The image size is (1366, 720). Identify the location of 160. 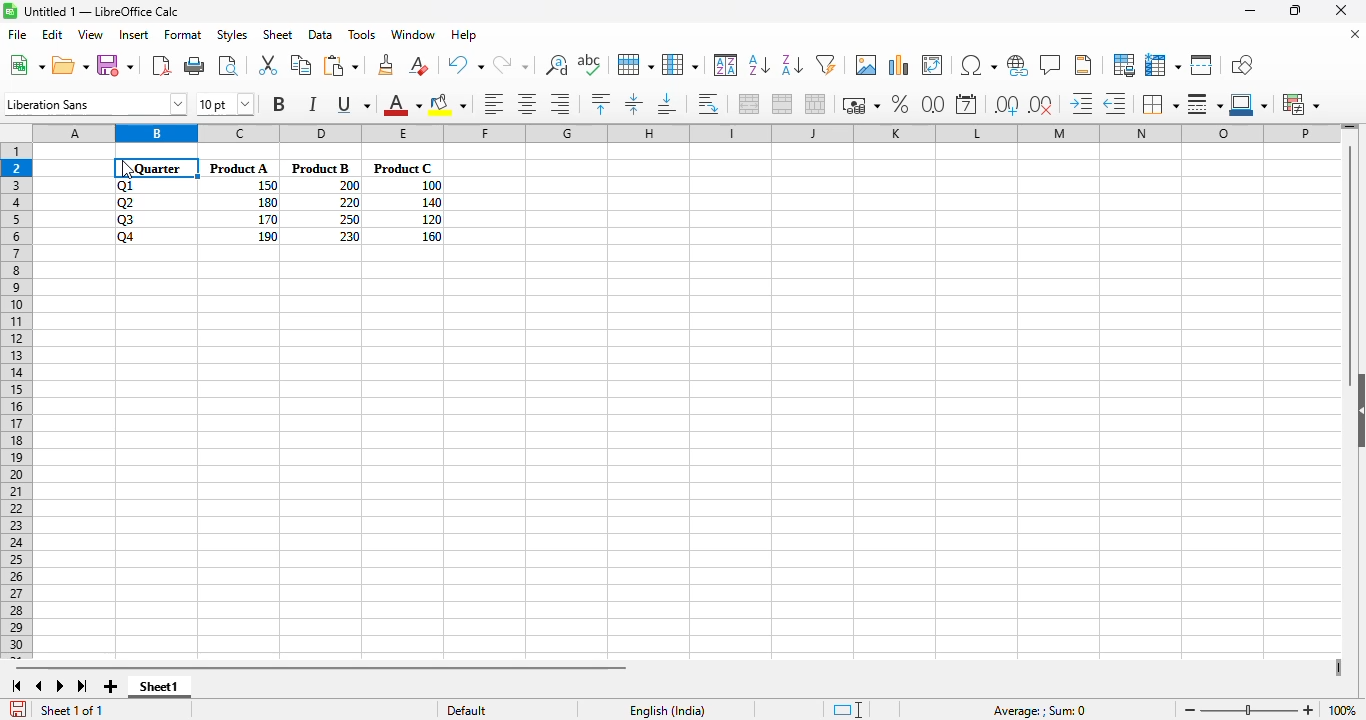
(430, 236).